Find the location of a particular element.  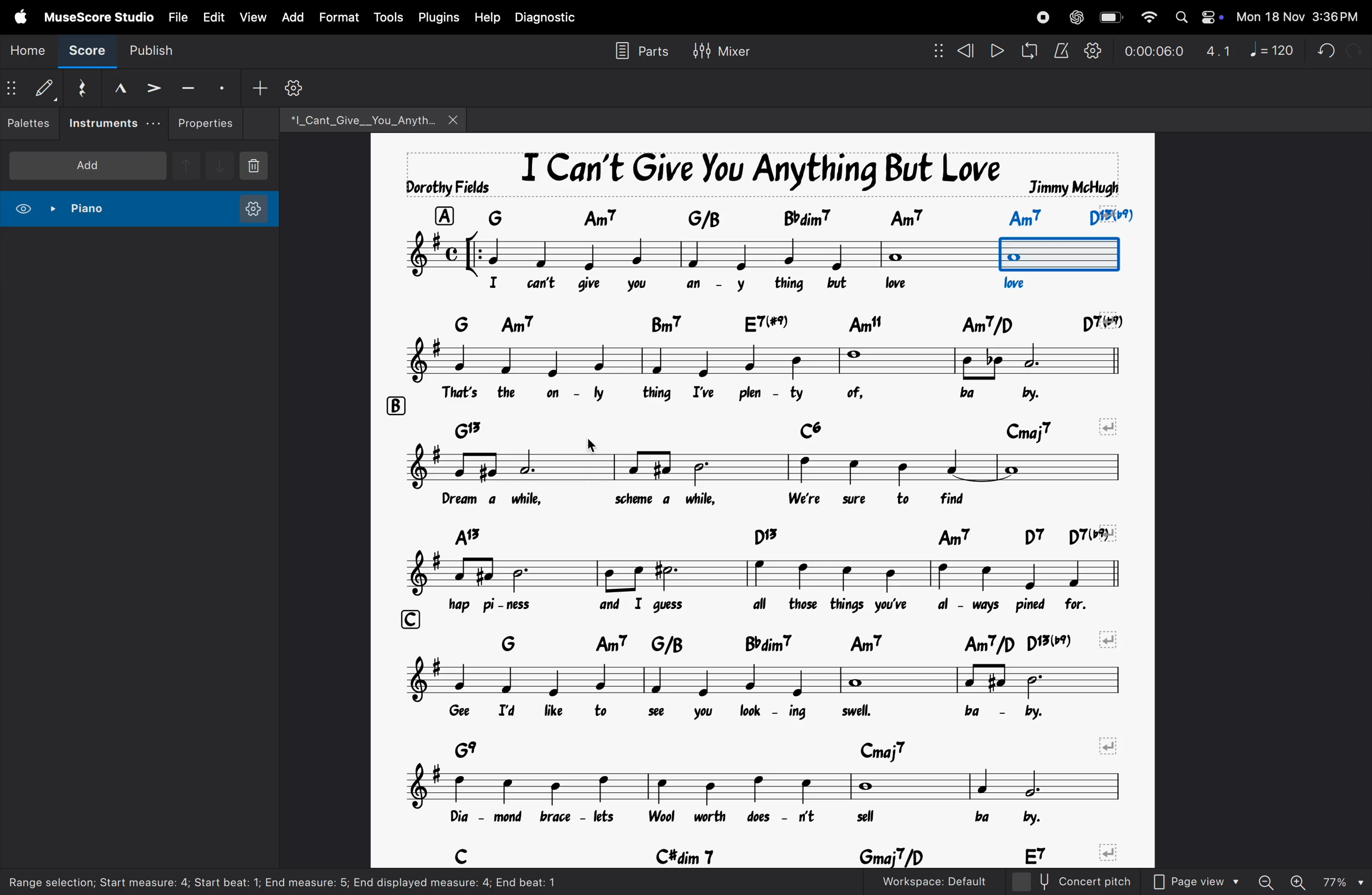

selection information is located at coordinates (325, 881).